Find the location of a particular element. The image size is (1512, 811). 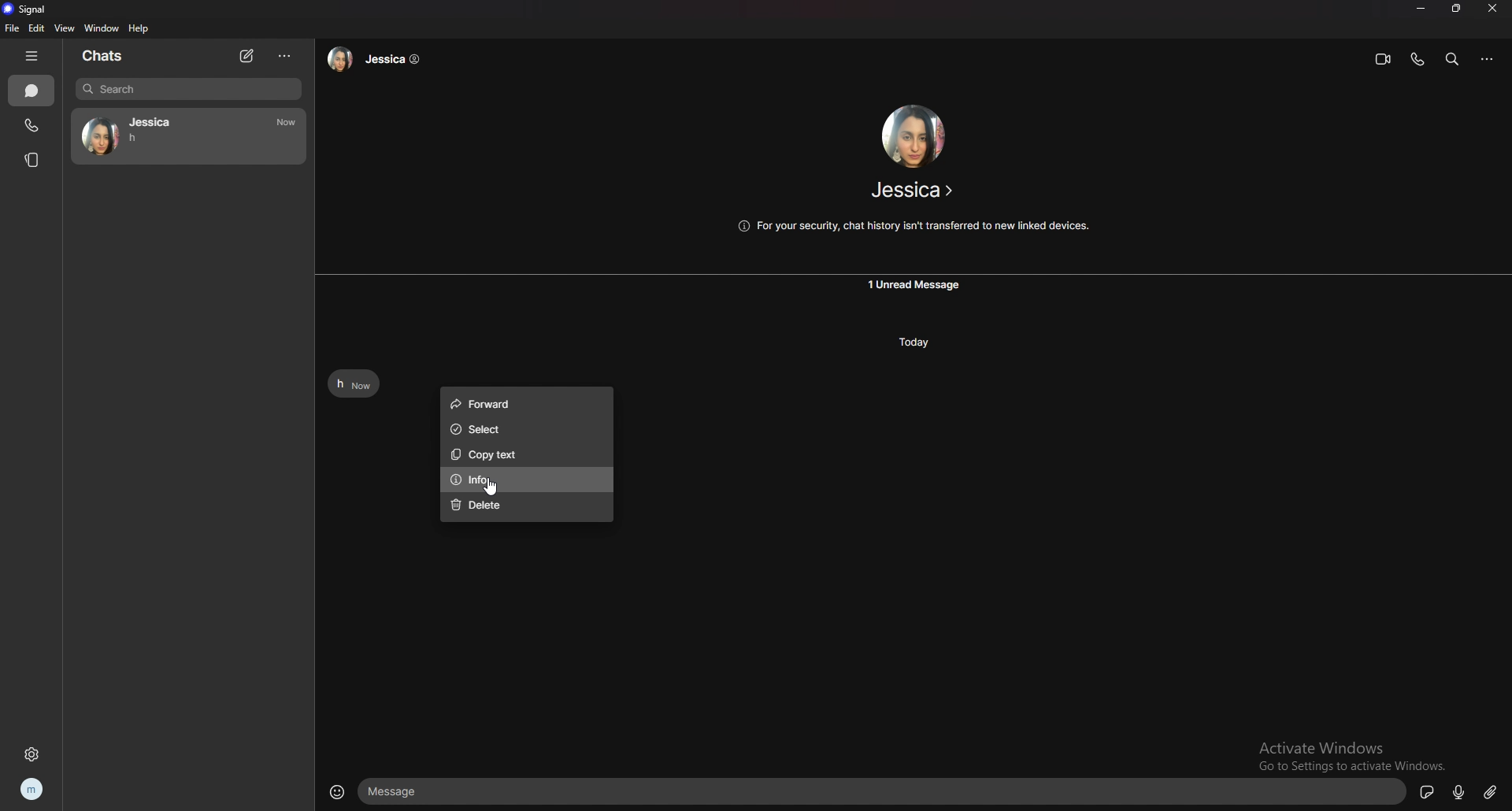

attachment is located at coordinates (1492, 790).